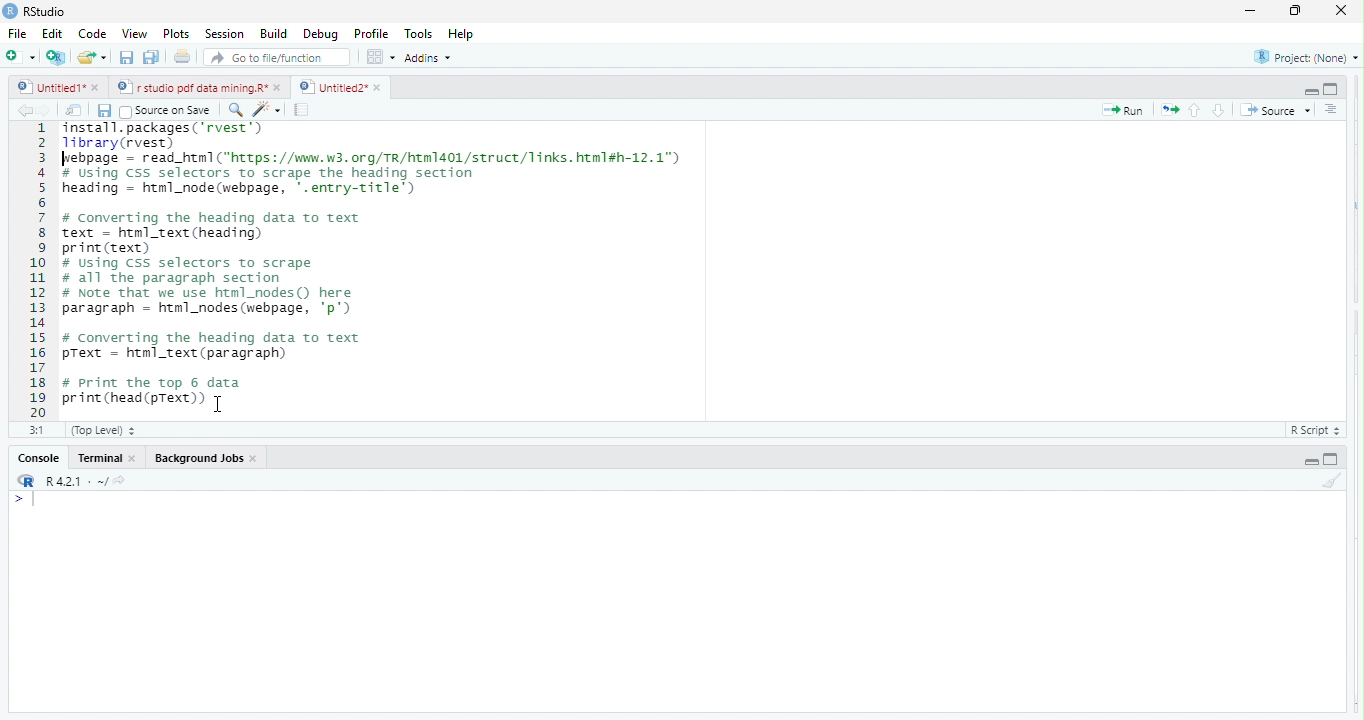 The image size is (1364, 720). What do you see at coordinates (1220, 110) in the screenshot?
I see `go to next section/chunk` at bounding box center [1220, 110].